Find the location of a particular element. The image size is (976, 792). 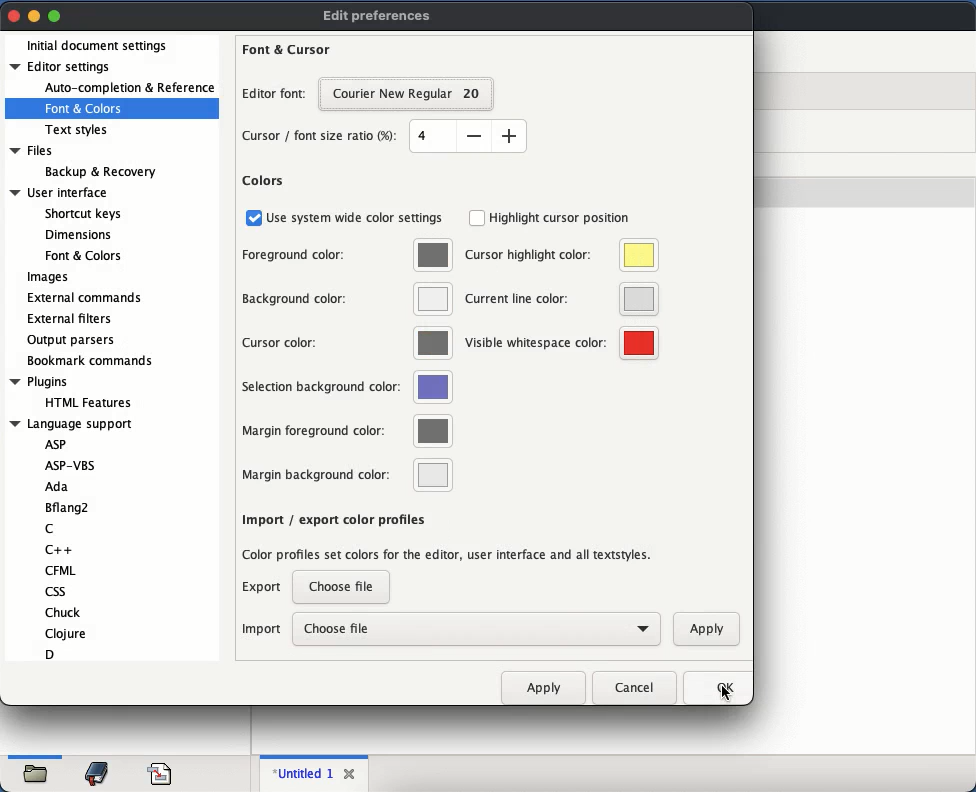

color is located at coordinates (434, 431).